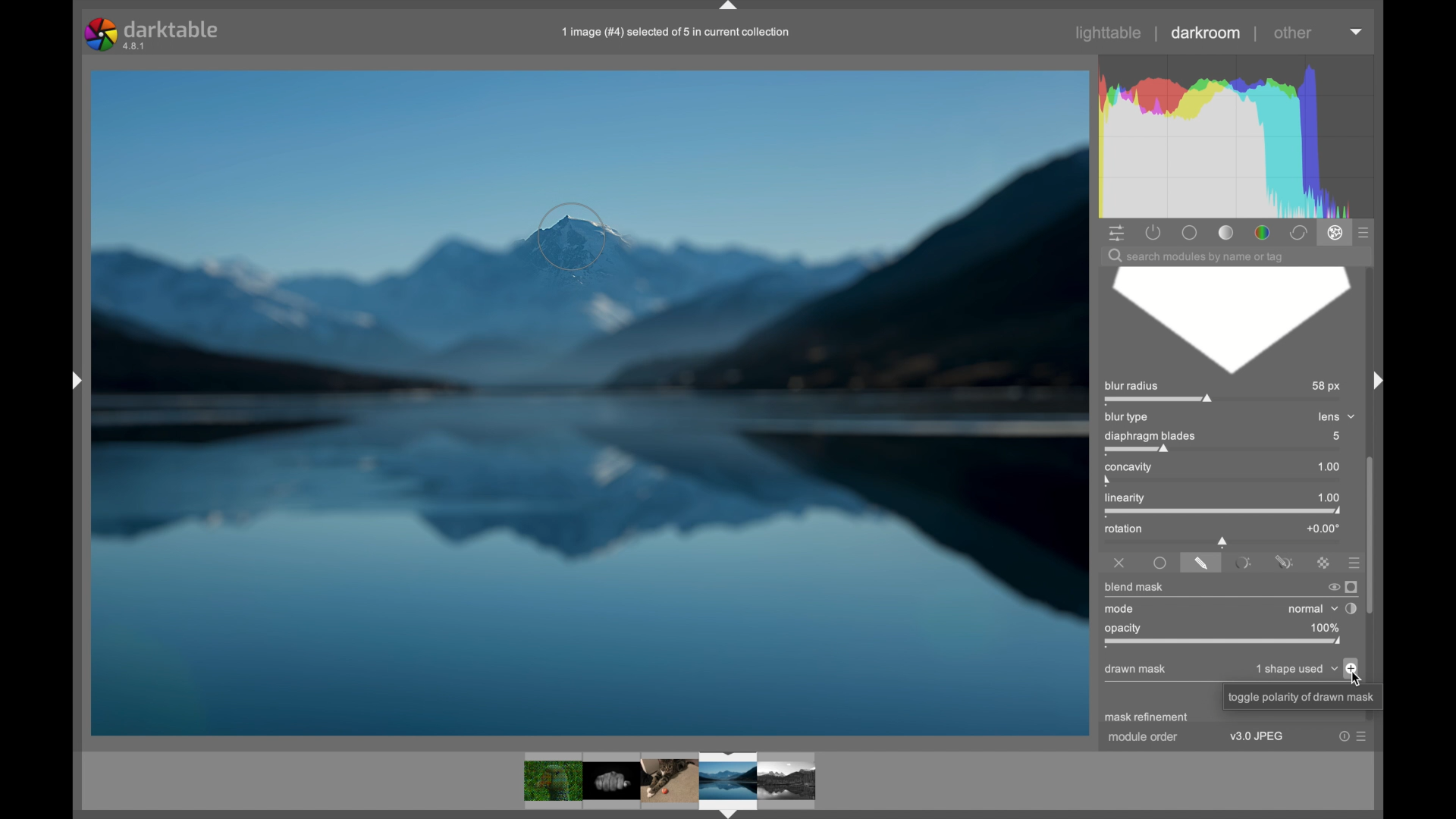 The width and height of the screenshot is (1456, 819). What do you see at coordinates (75, 382) in the screenshot?
I see `drag handle` at bounding box center [75, 382].